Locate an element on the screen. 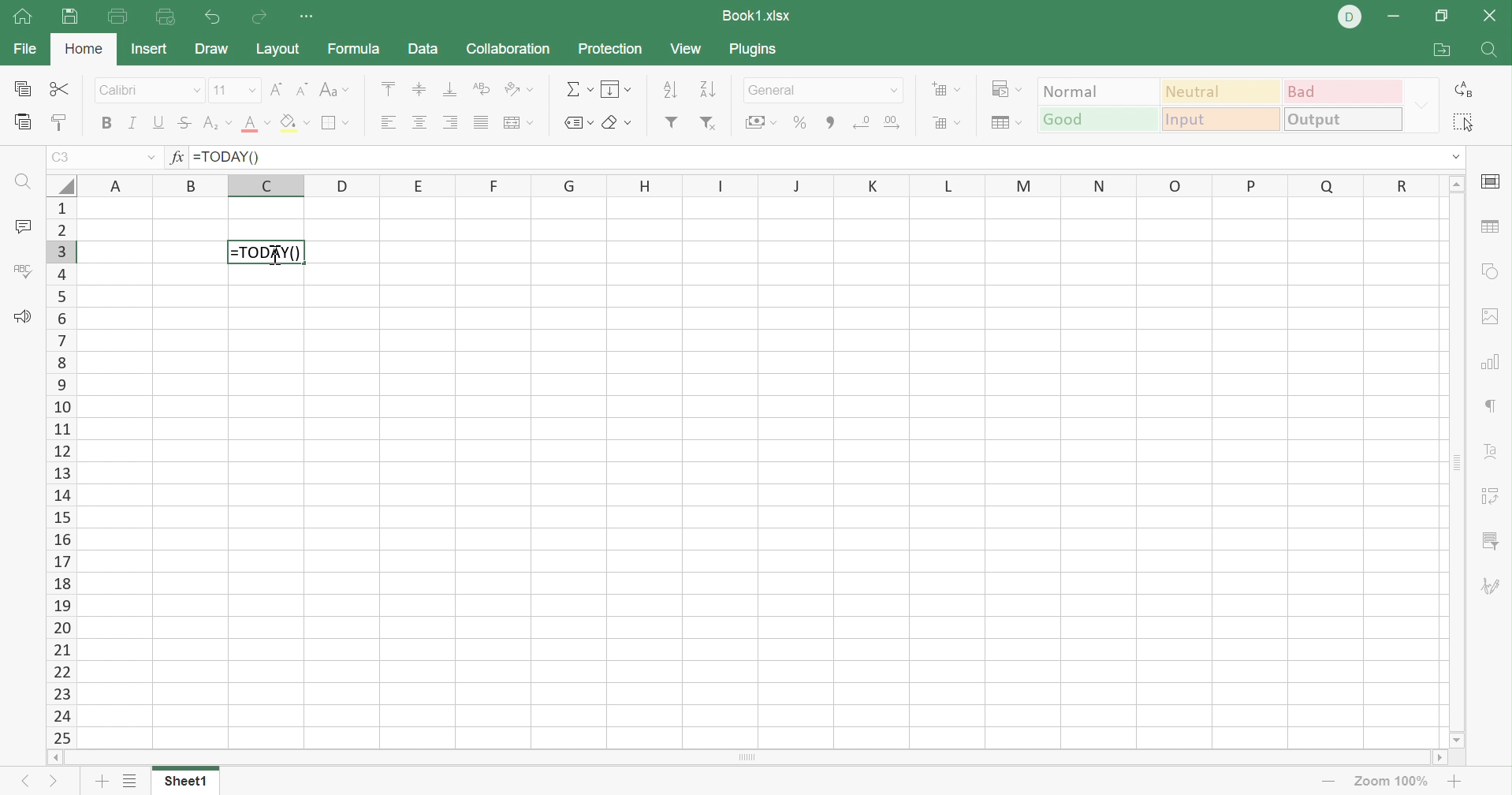 The image size is (1512, 795). Increase decimal is located at coordinates (896, 123).